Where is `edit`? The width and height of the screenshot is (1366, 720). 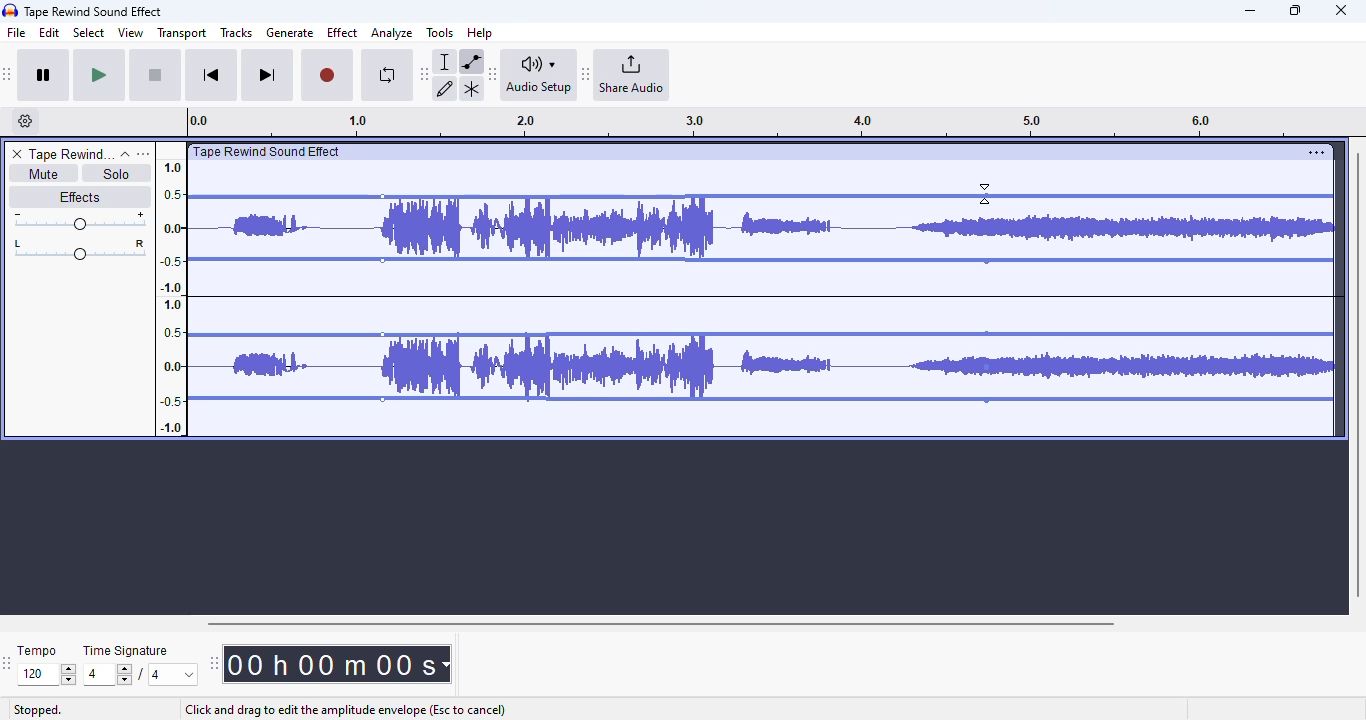 edit is located at coordinates (50, 33).